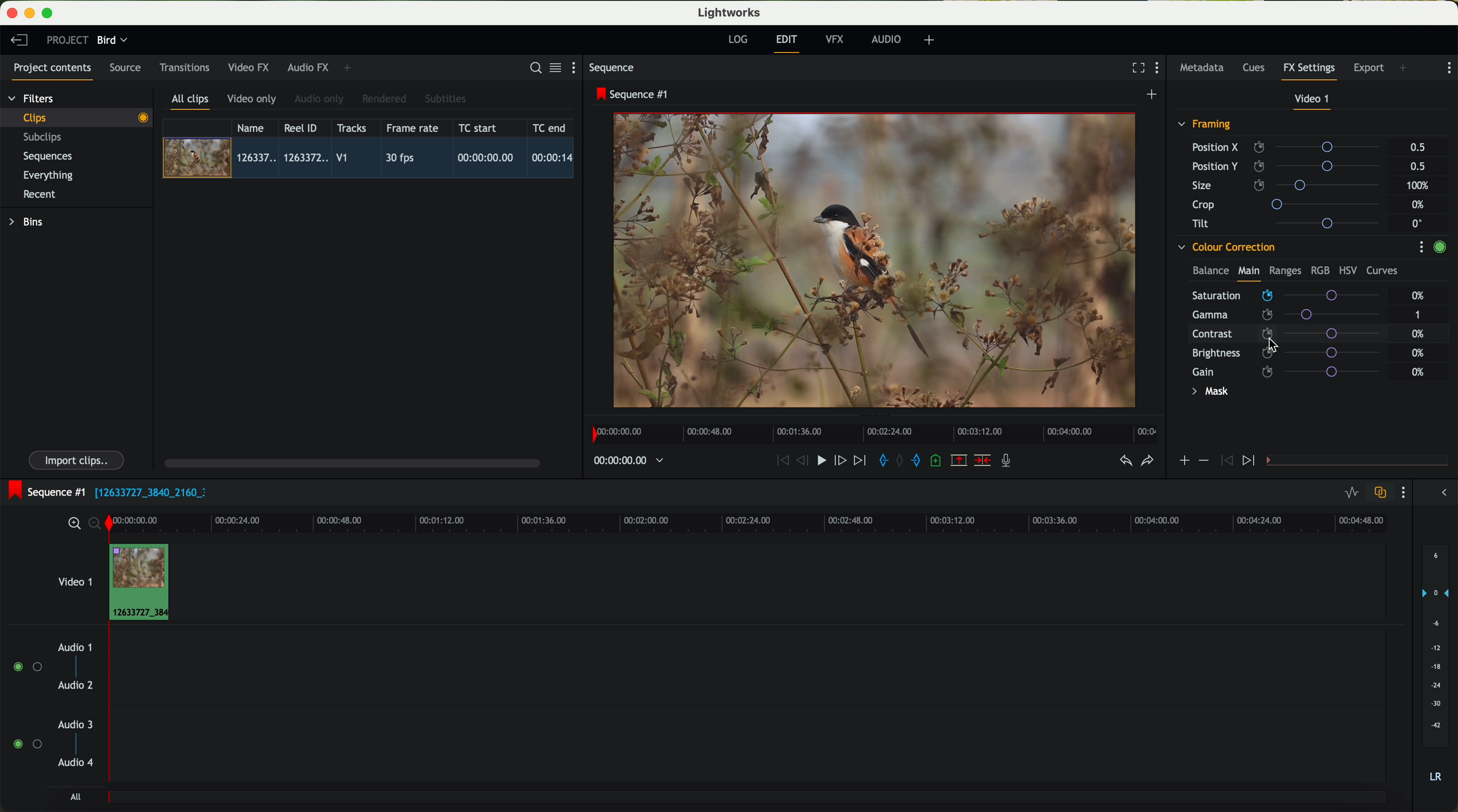  Describe the element at coordinates (308, 67) in the screenshot. I see `audio FX` at that location.